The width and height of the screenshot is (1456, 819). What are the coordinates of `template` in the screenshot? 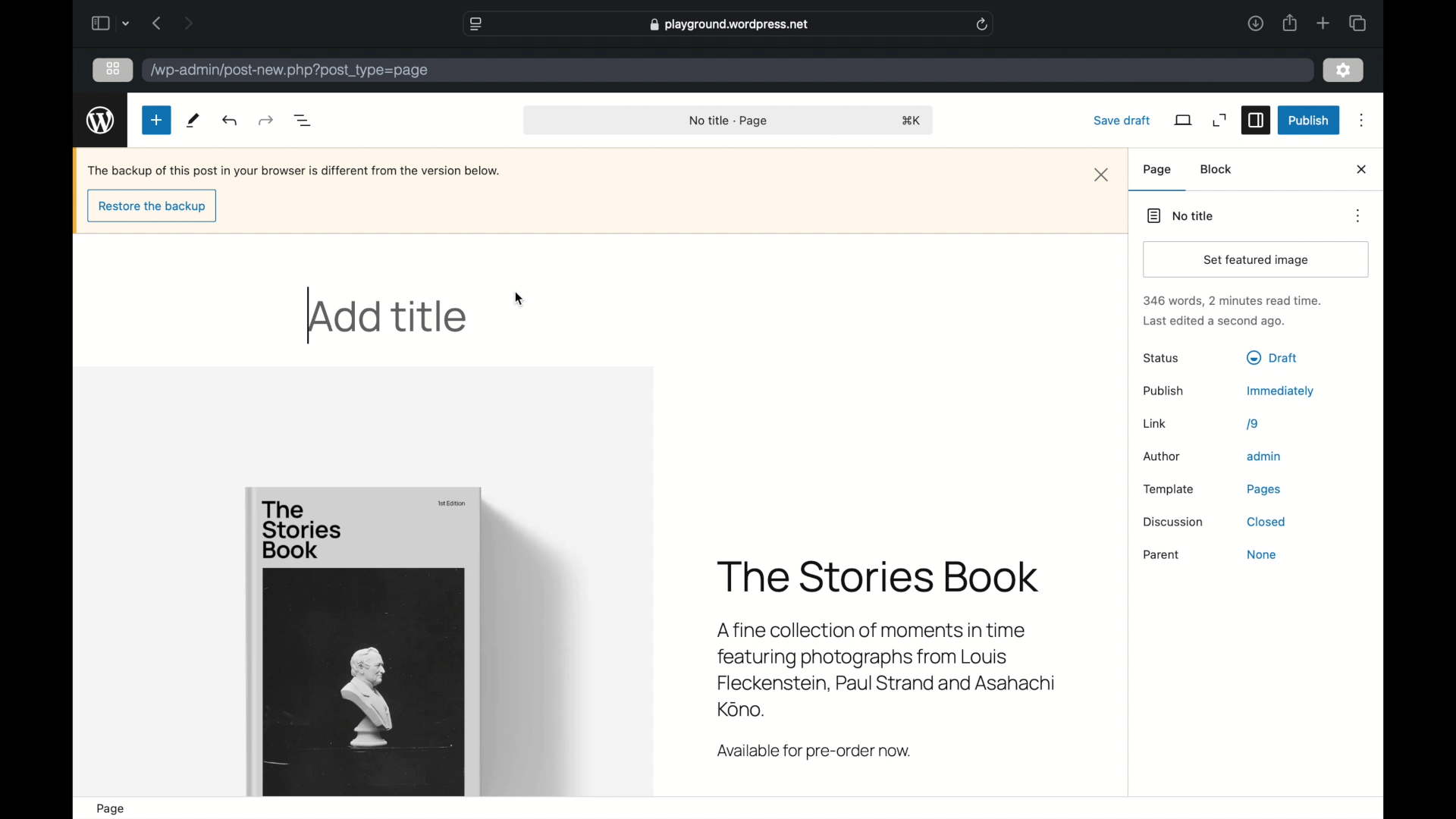 It's located at (1169, 490).